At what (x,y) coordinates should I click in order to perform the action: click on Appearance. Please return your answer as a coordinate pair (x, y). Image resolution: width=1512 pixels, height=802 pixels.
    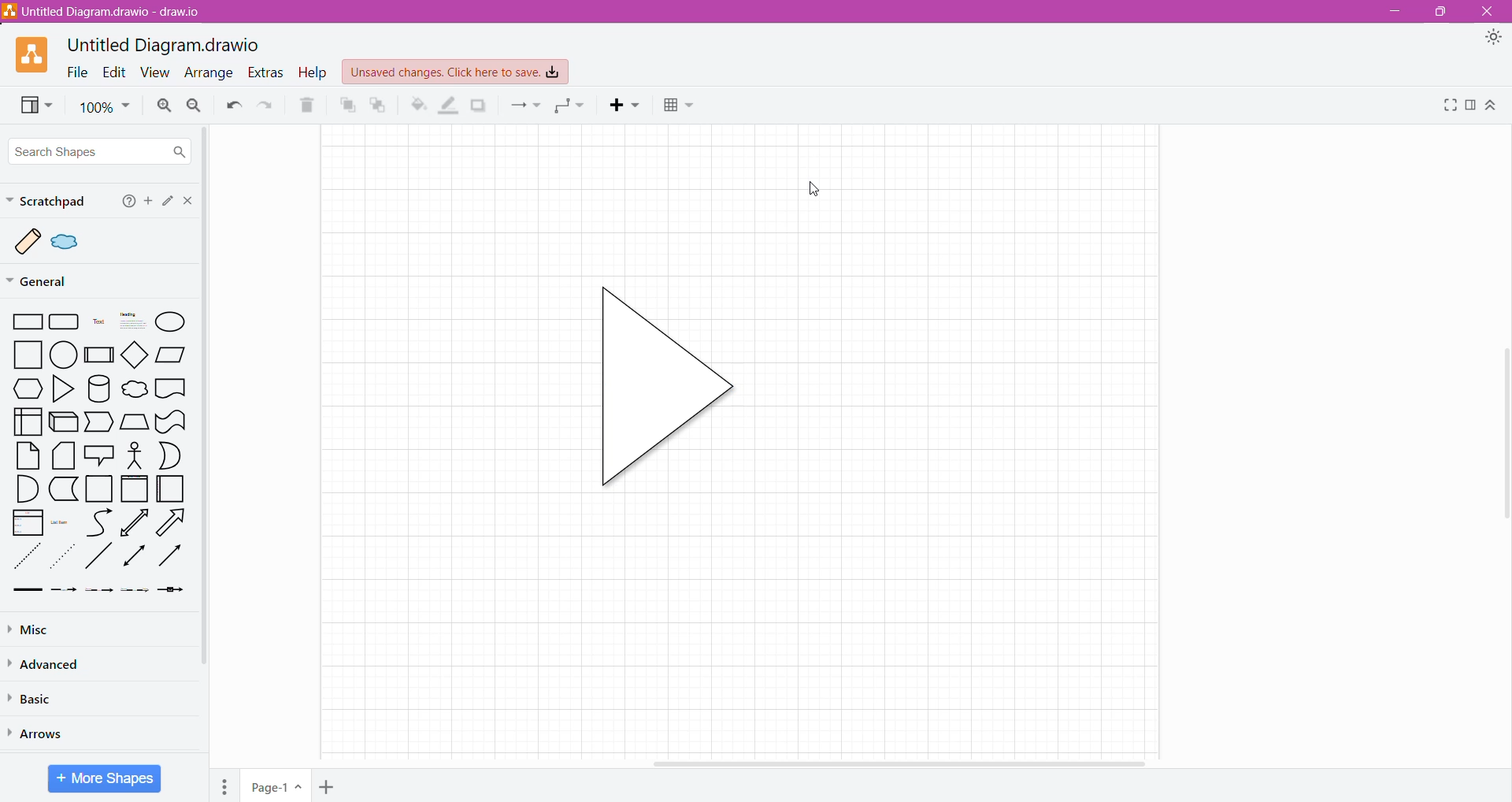
    Looking at the image, I should click on (1491, 39).